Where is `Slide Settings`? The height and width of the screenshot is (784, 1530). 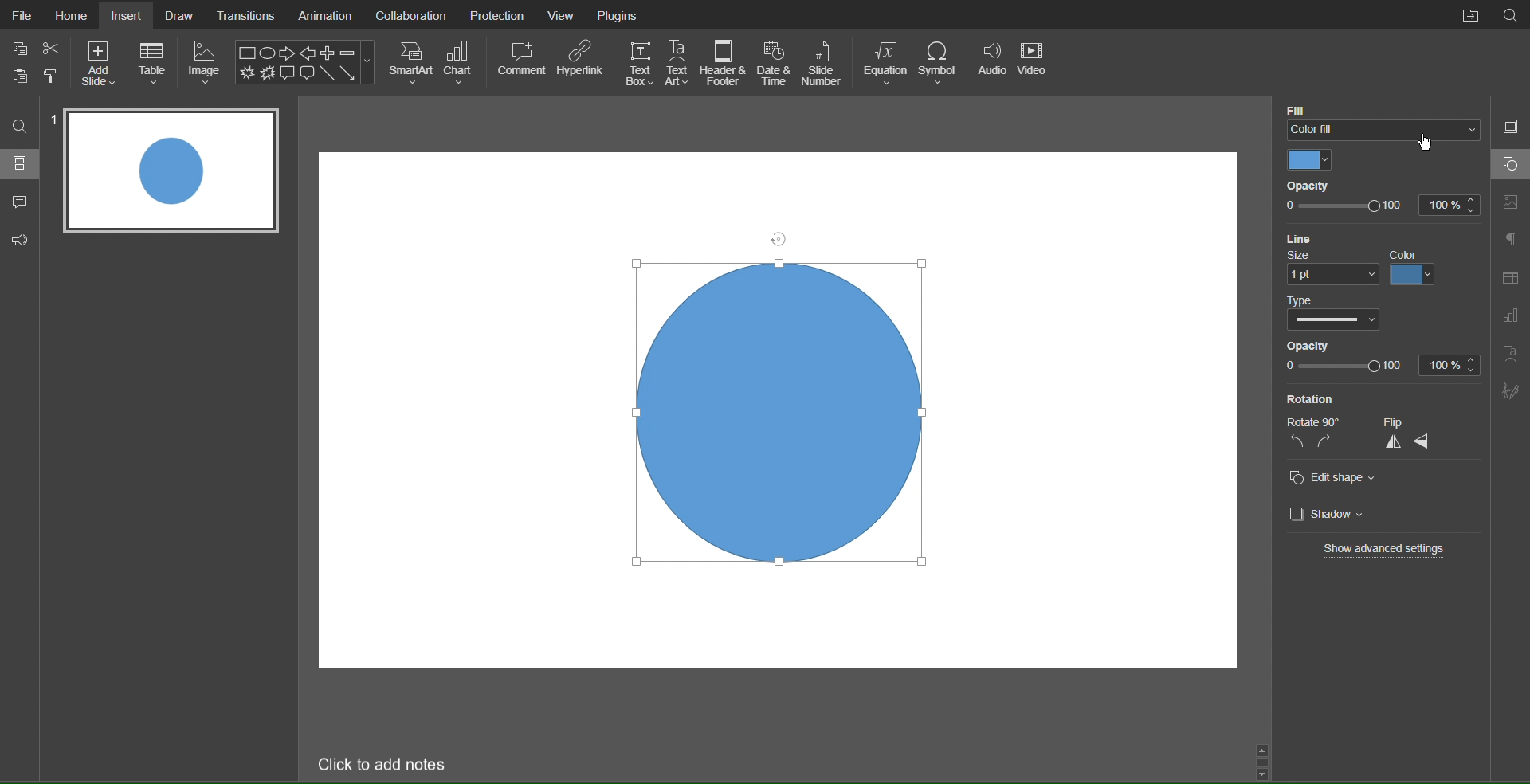
Slide Settings is located at coordinates (1509, 129).